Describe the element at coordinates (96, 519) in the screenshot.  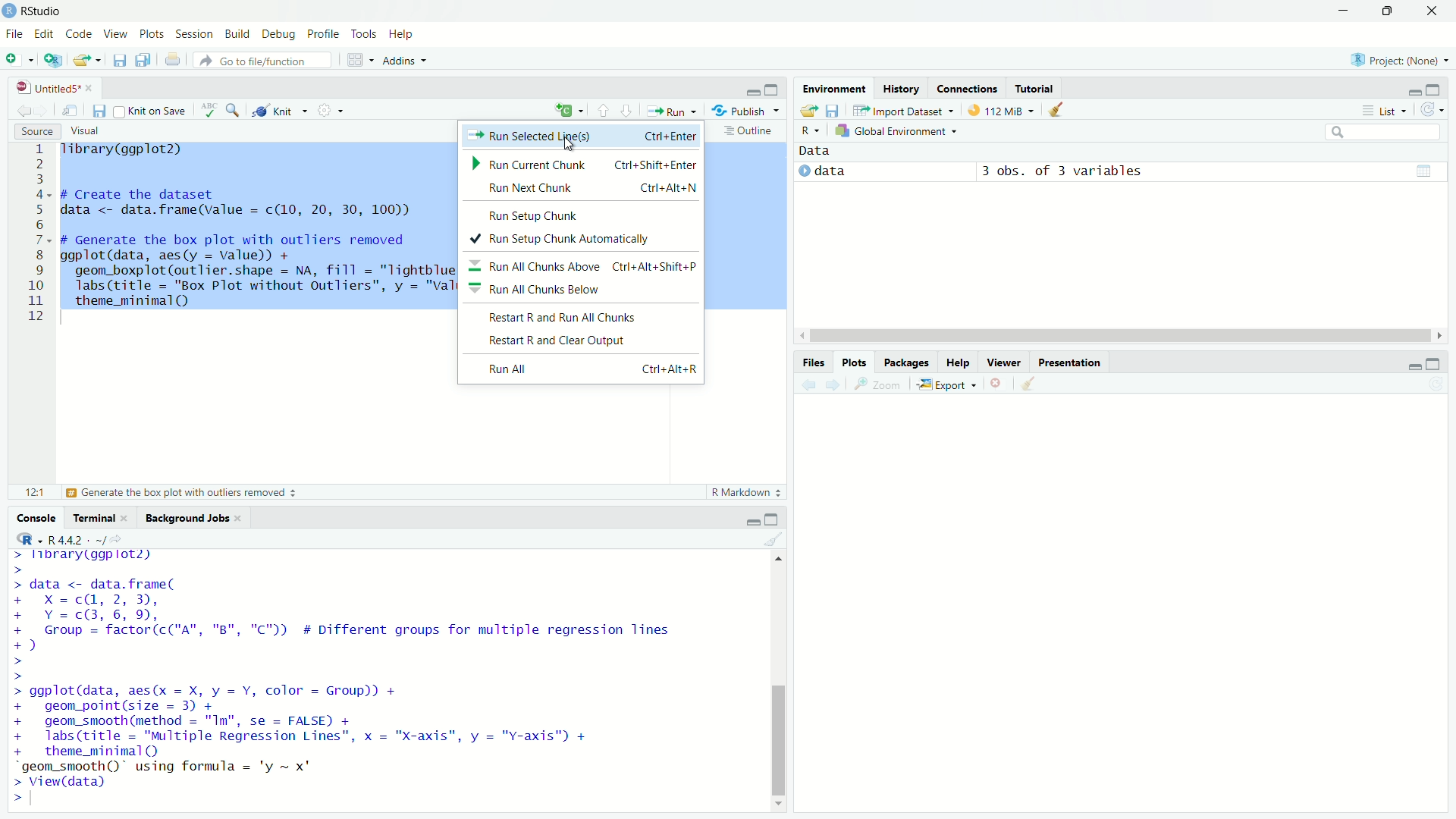
I see `Terminal` at that location.